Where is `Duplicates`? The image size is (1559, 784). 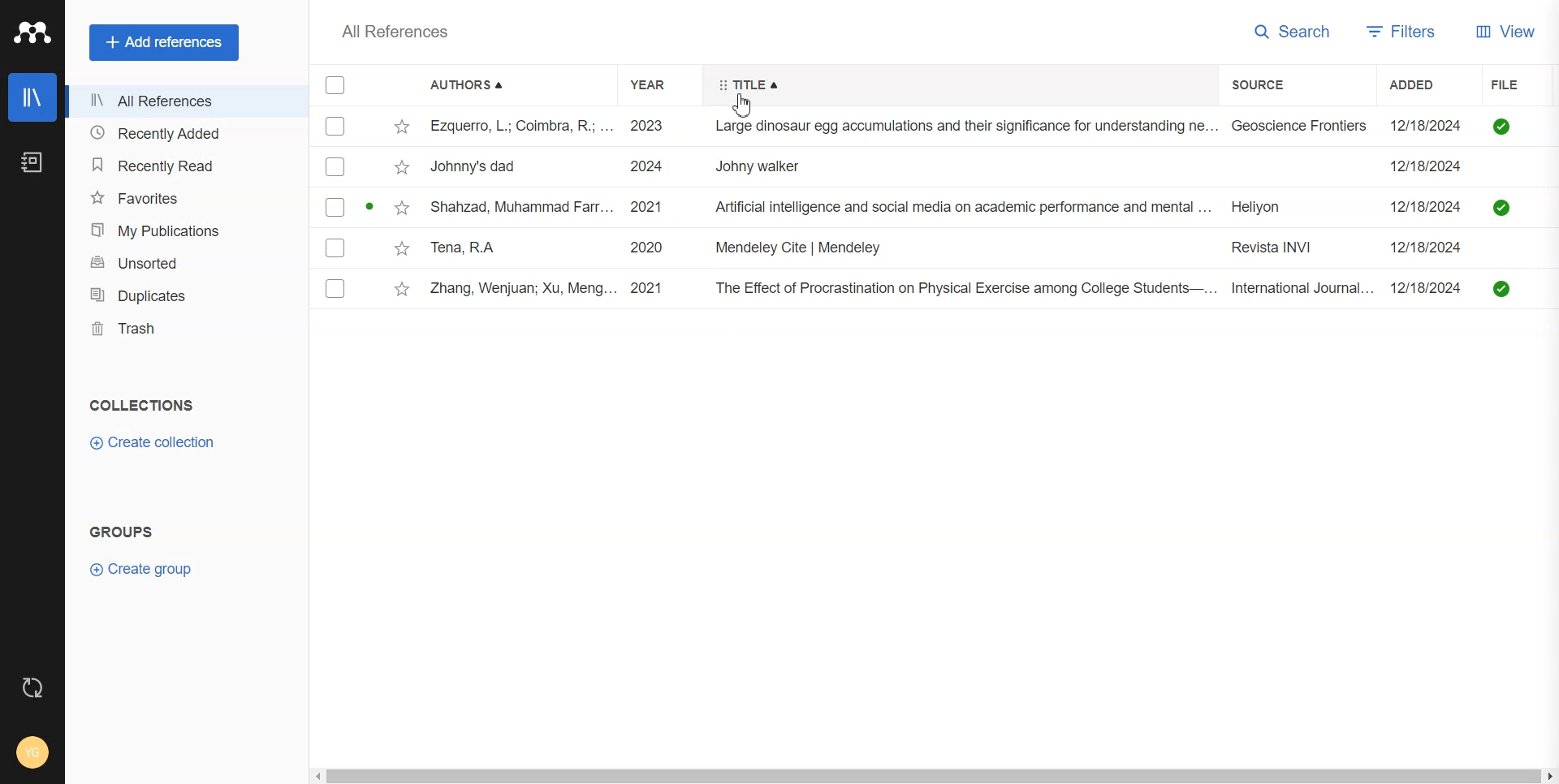
Duplicates is located at coordinates (185, 296).